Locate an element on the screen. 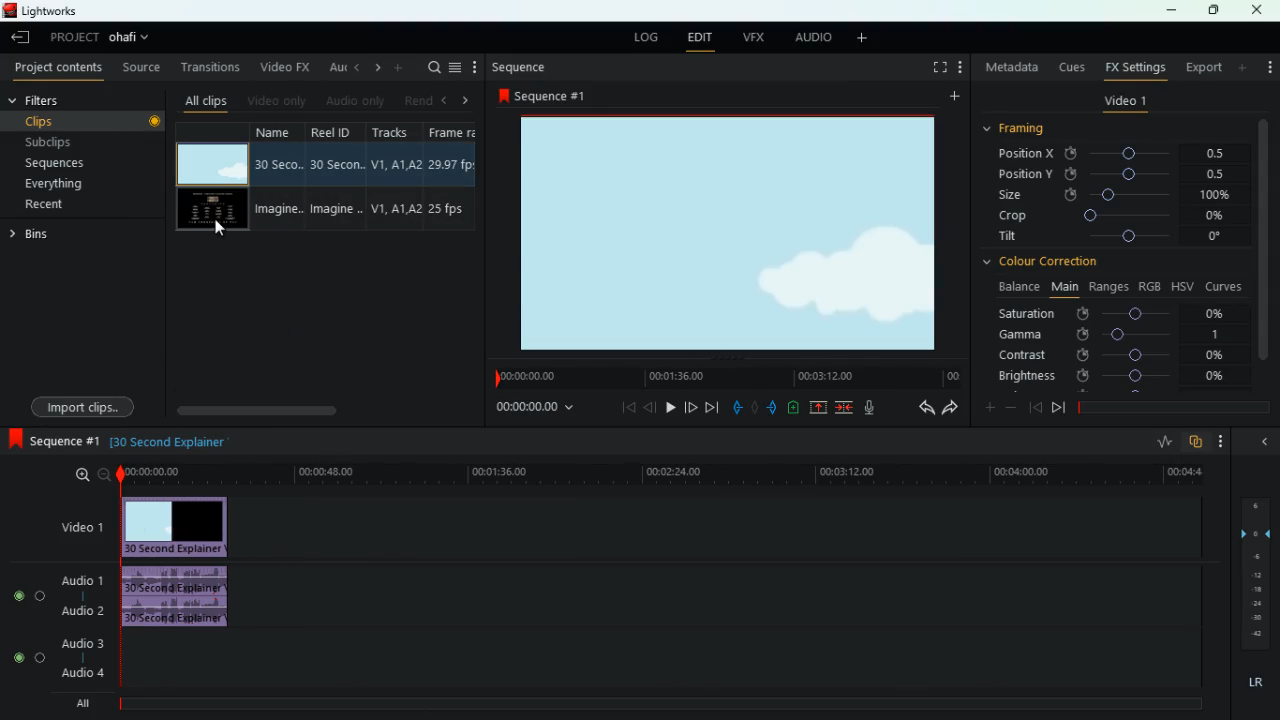 The width and height of the screenshot is (1280, 720). sequence is located at coordinates (55, 442).